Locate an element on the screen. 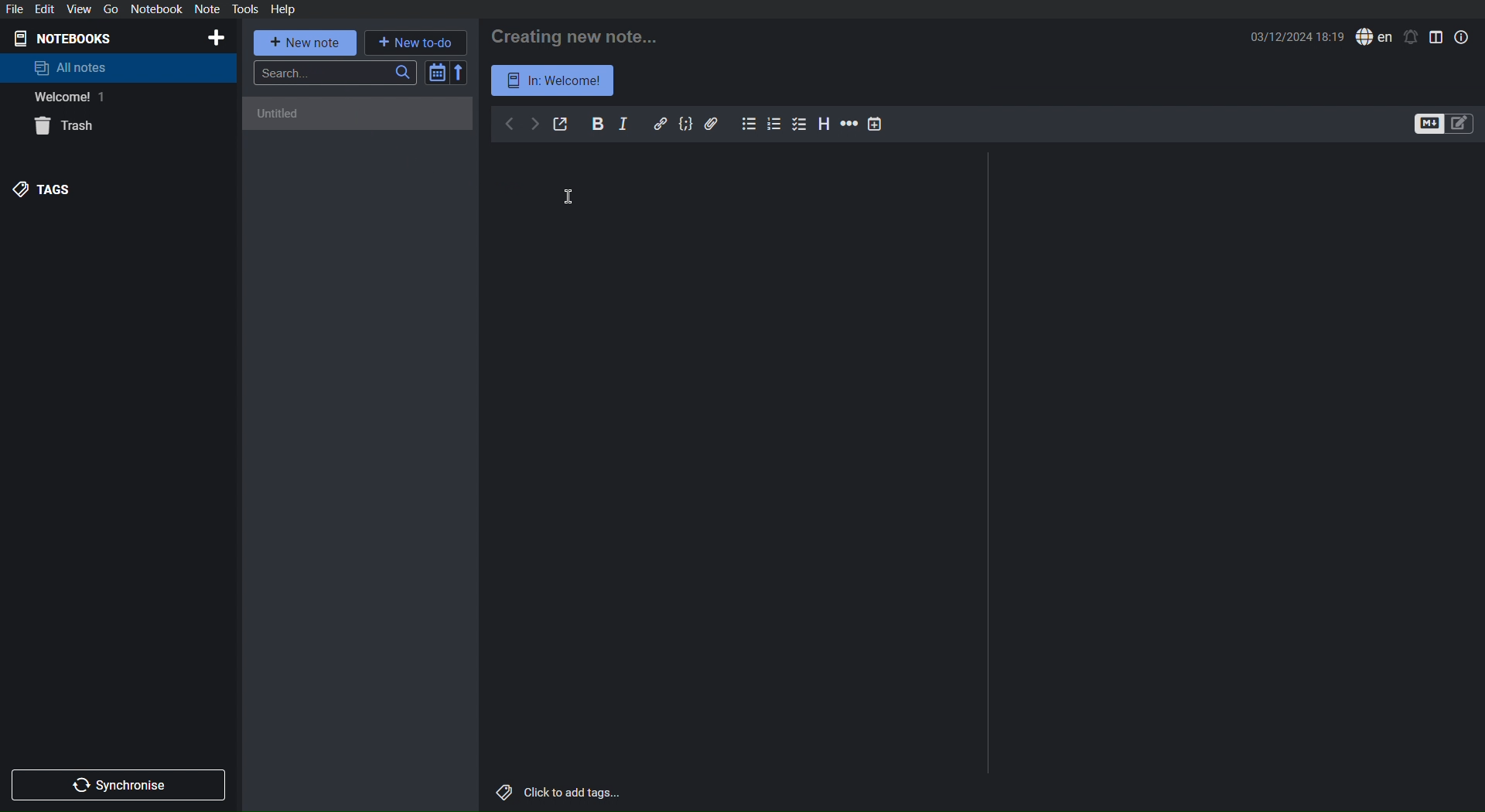 The image size is (1485, 812). Divider is located at coordinates (989, 466).